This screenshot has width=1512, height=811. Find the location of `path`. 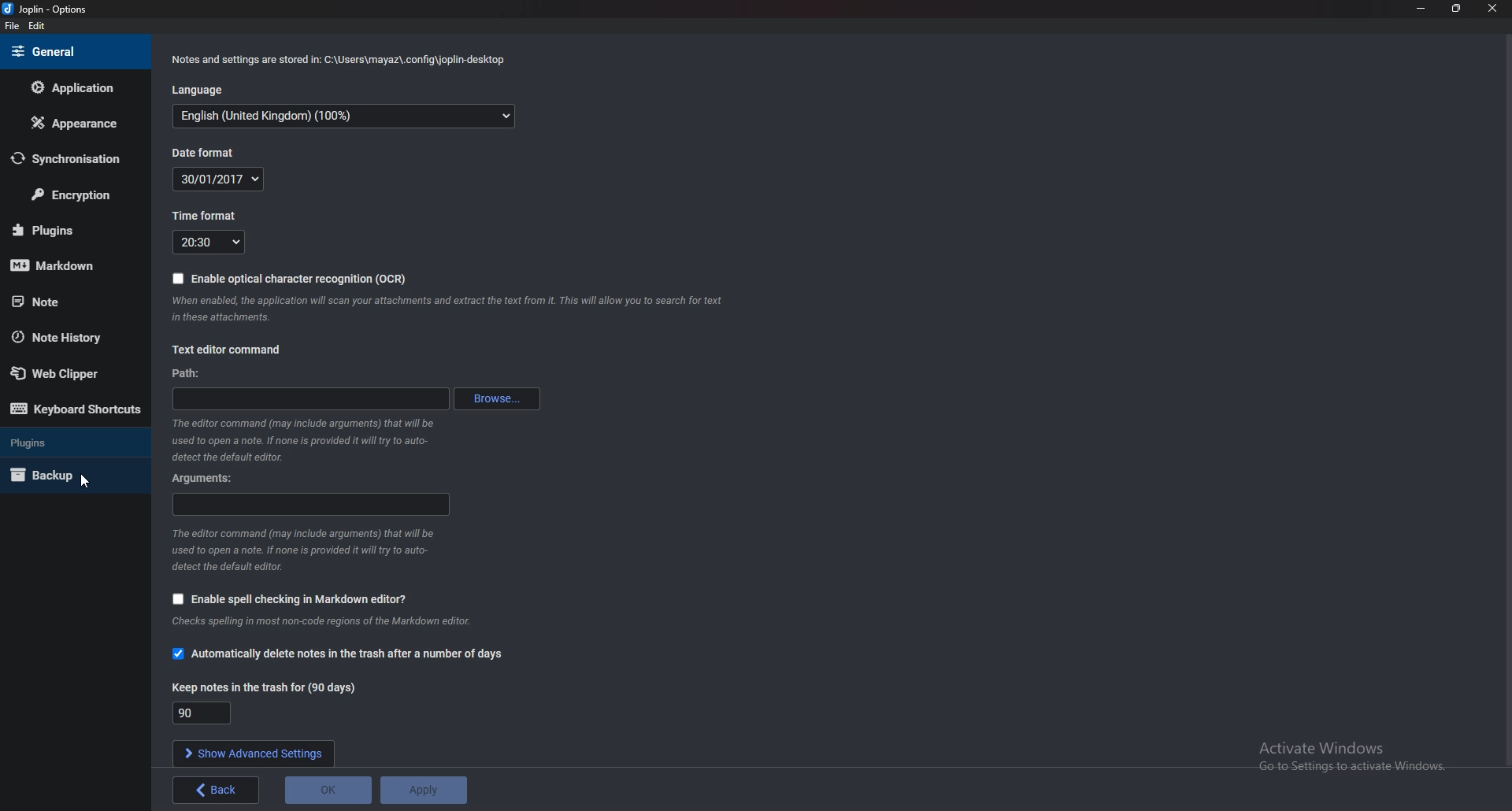

path is located at coordinates (308, 398).